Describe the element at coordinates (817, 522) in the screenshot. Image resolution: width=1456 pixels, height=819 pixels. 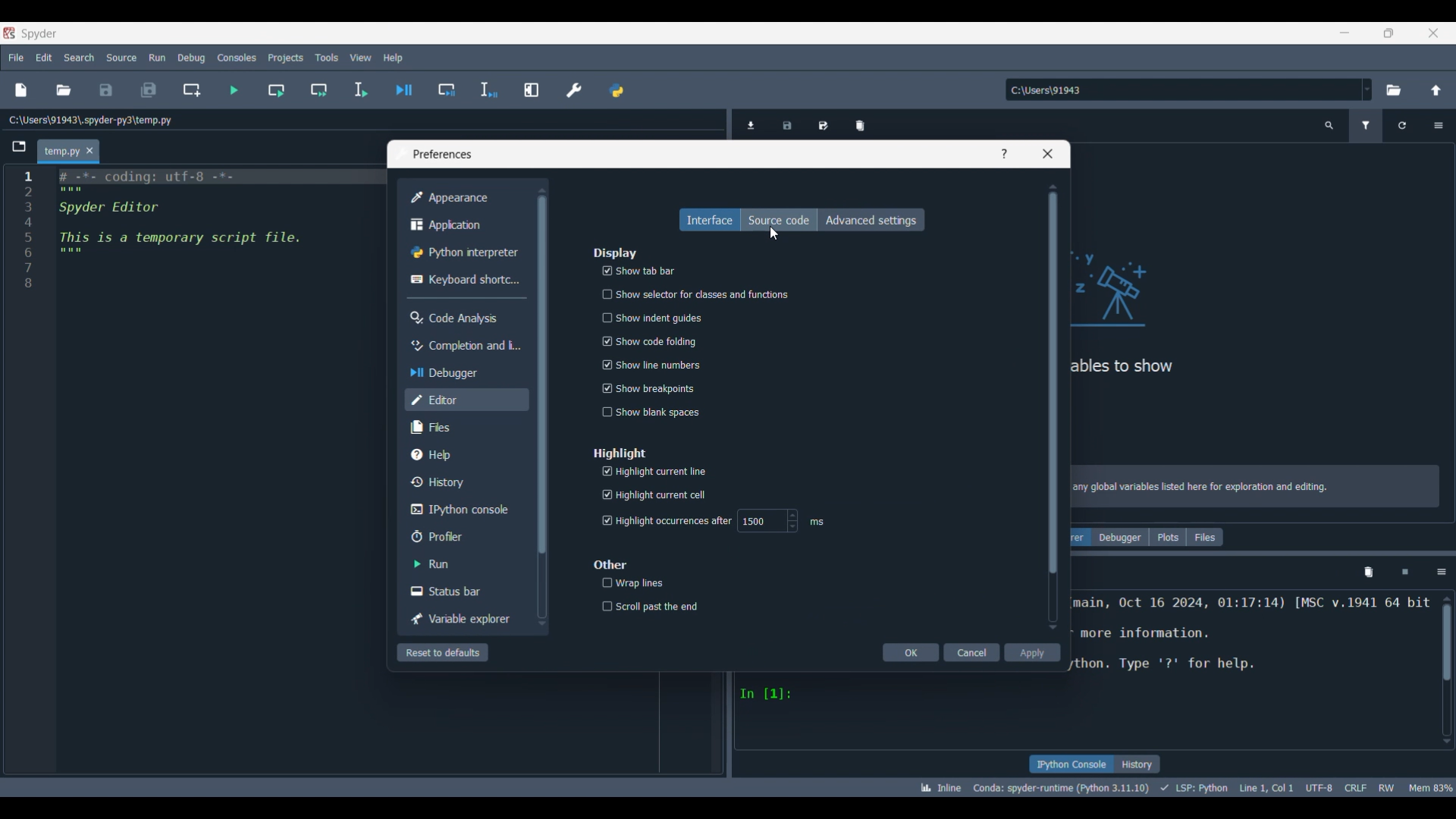
I see `Measurement` at that location.